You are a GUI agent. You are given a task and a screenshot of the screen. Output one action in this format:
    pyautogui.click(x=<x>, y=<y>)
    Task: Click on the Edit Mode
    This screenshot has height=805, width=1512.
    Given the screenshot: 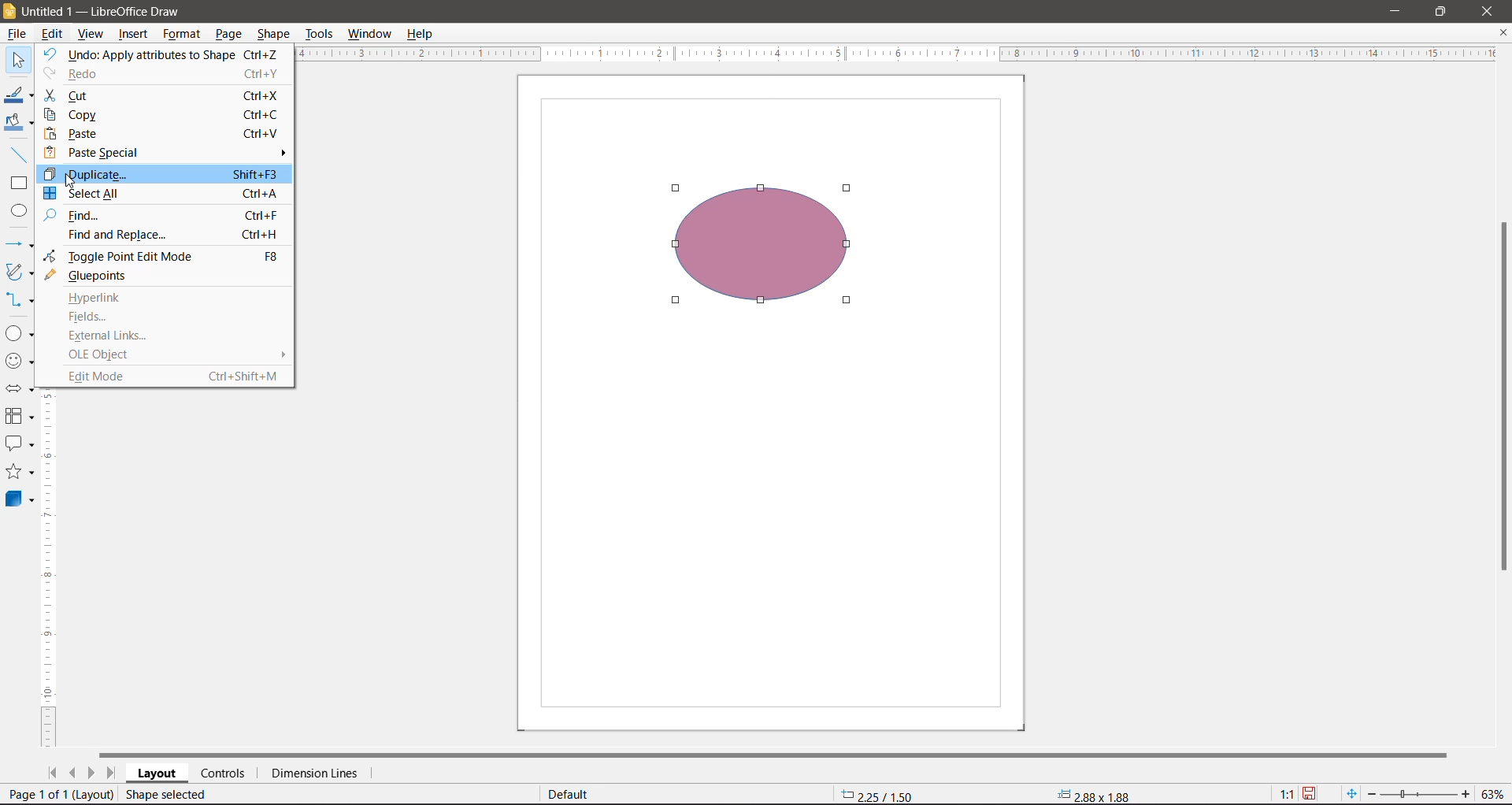 What is the action you would take?
    pyautogui.click(x=171, y=376)
    